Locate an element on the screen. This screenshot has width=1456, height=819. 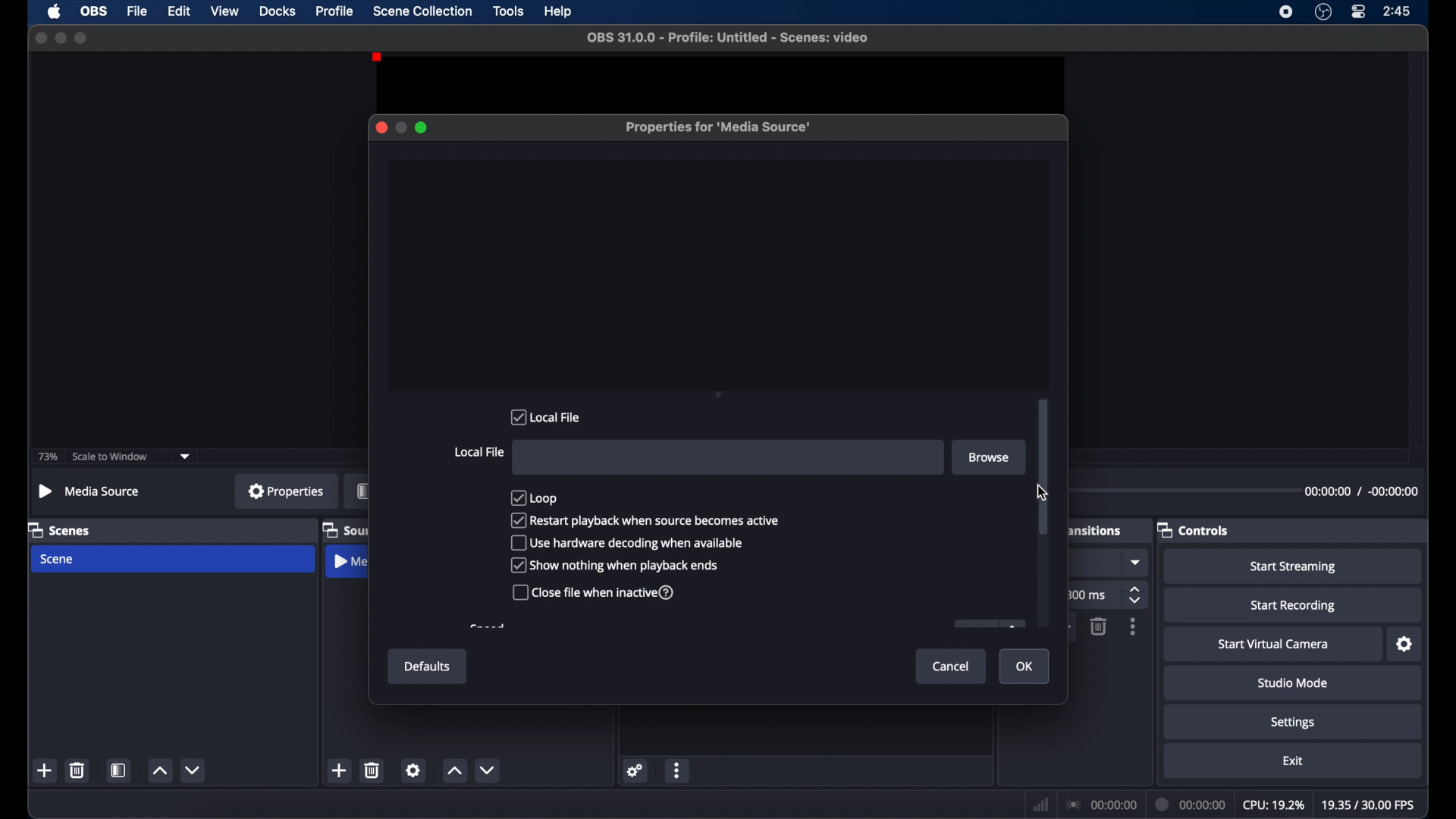
decrement is located at coordinates (491, 770).